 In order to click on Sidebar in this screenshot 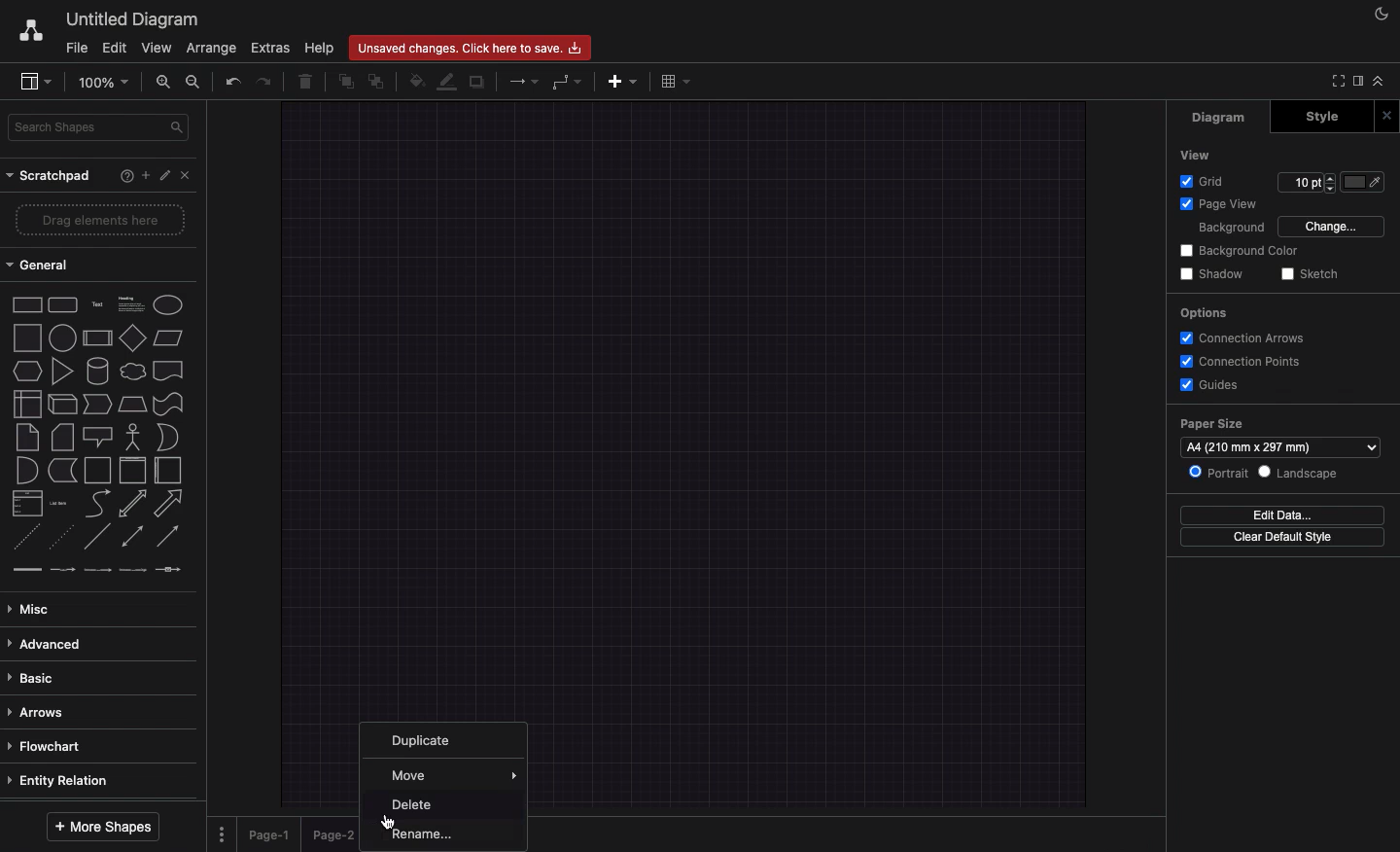, I will do `click(37, 80)`.